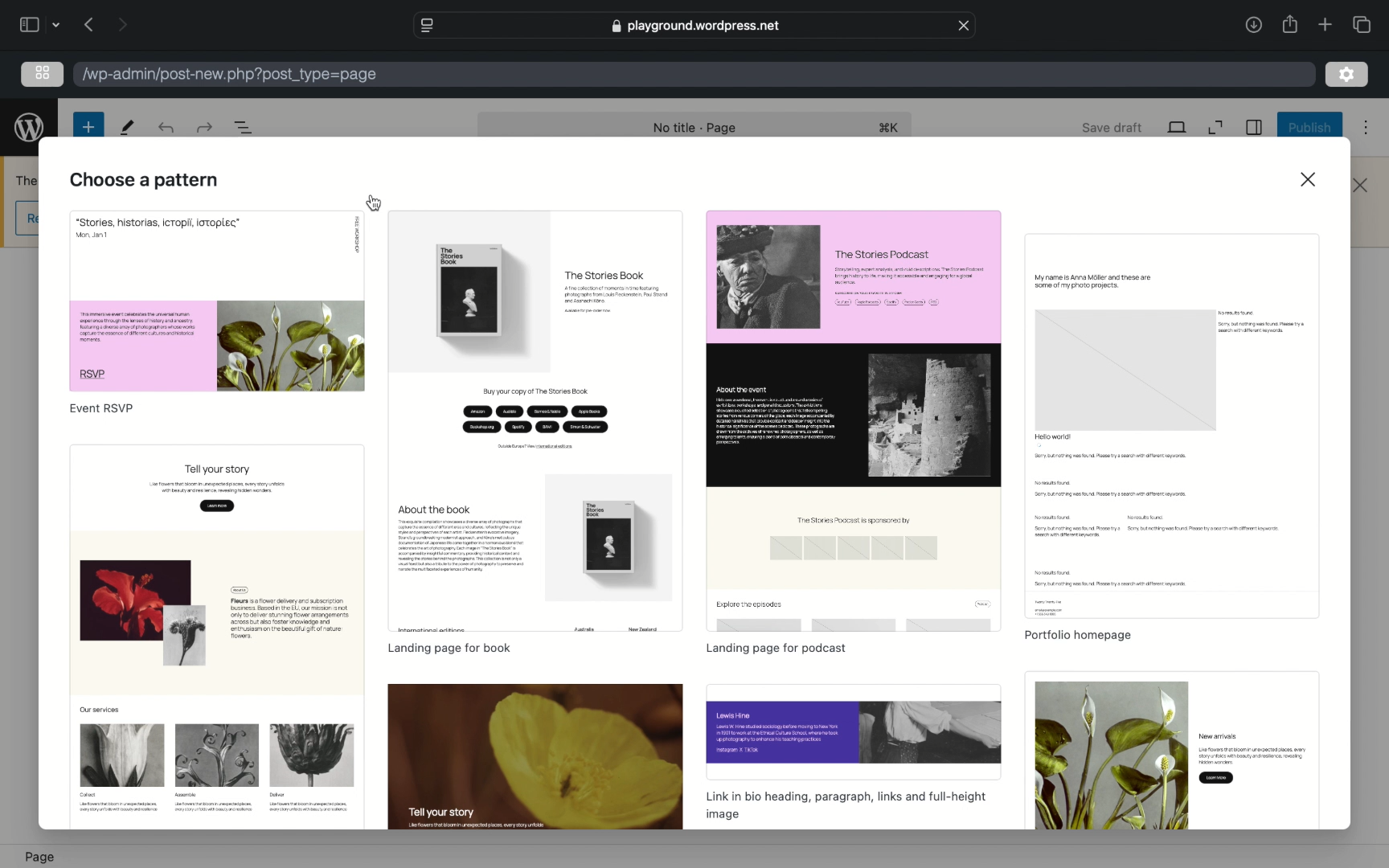 The height and width of the screenshot is (868, 1389). Describe the element at coordinates (1307, 178) in the screenshot. I see `close` at that location.